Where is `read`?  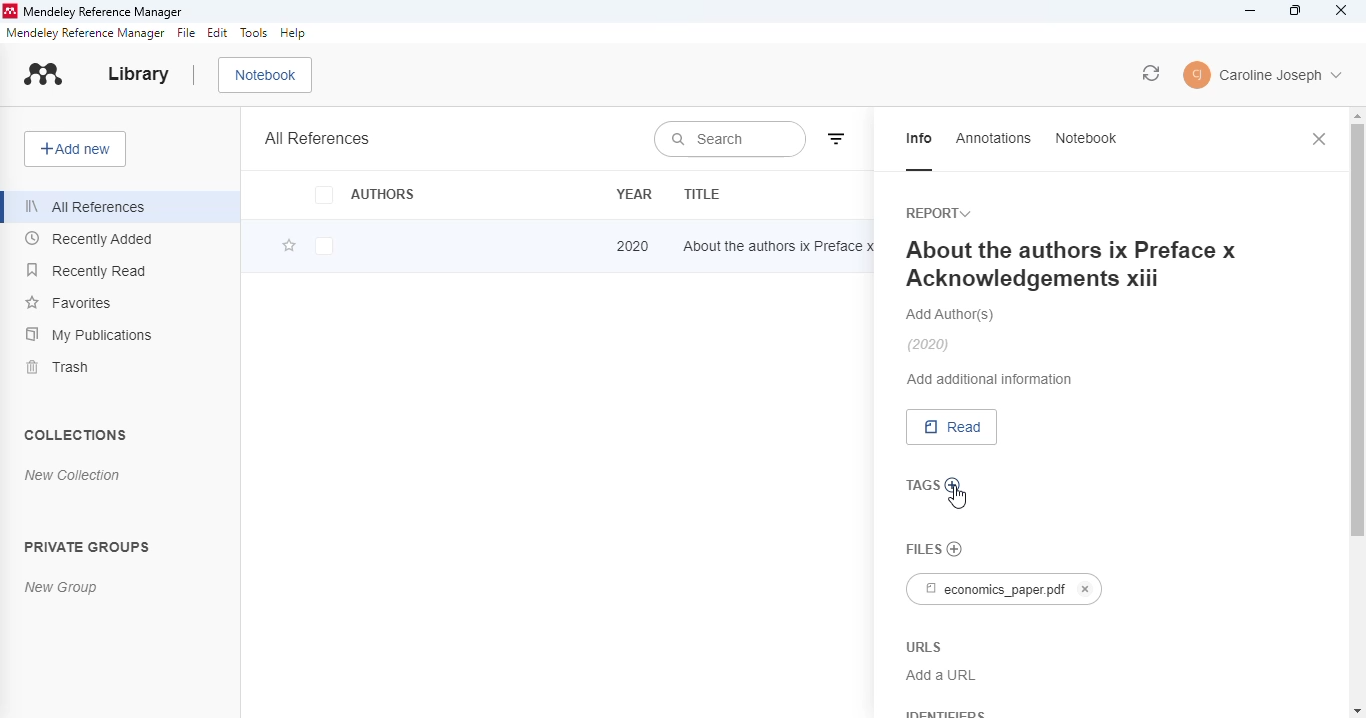
read is located at coordinates (952, 427).